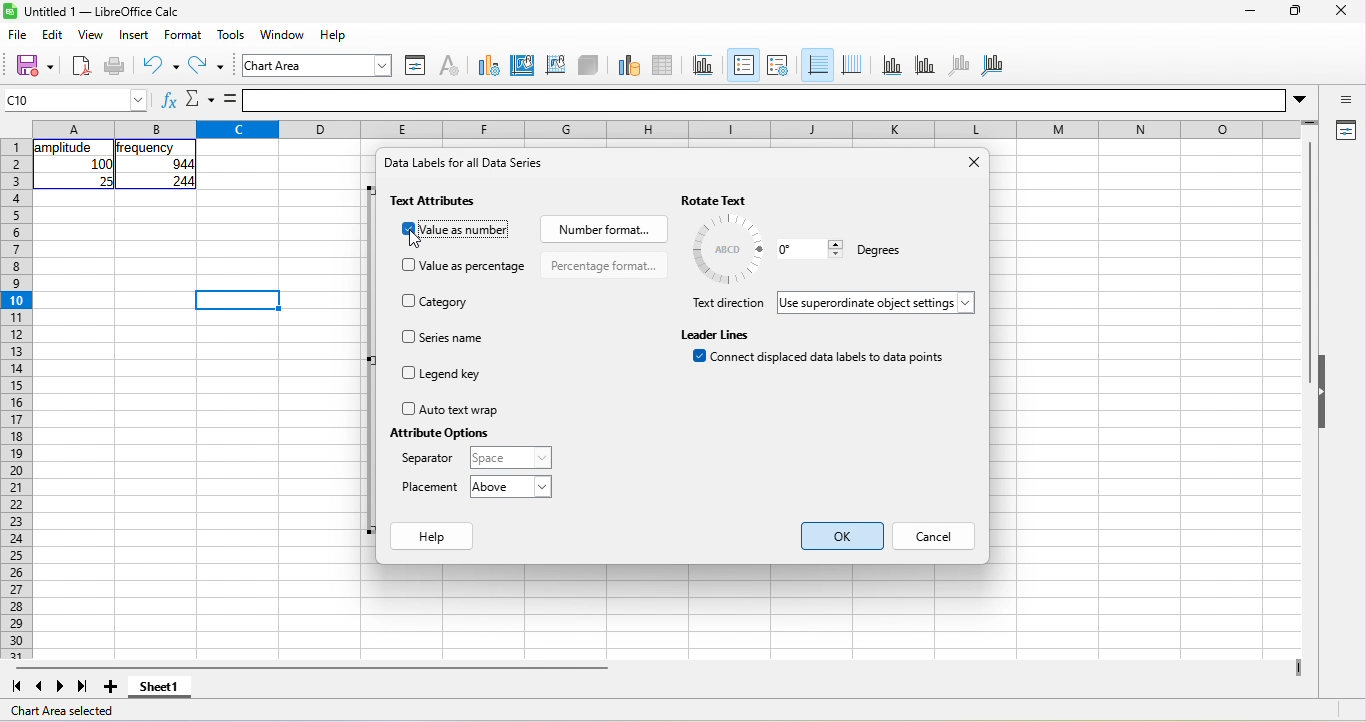 The width and height of the screenshot is (1366, 722). Describe the element at coordinates (450, 409) in the screenshot. I see `auto text wrap` at that location.